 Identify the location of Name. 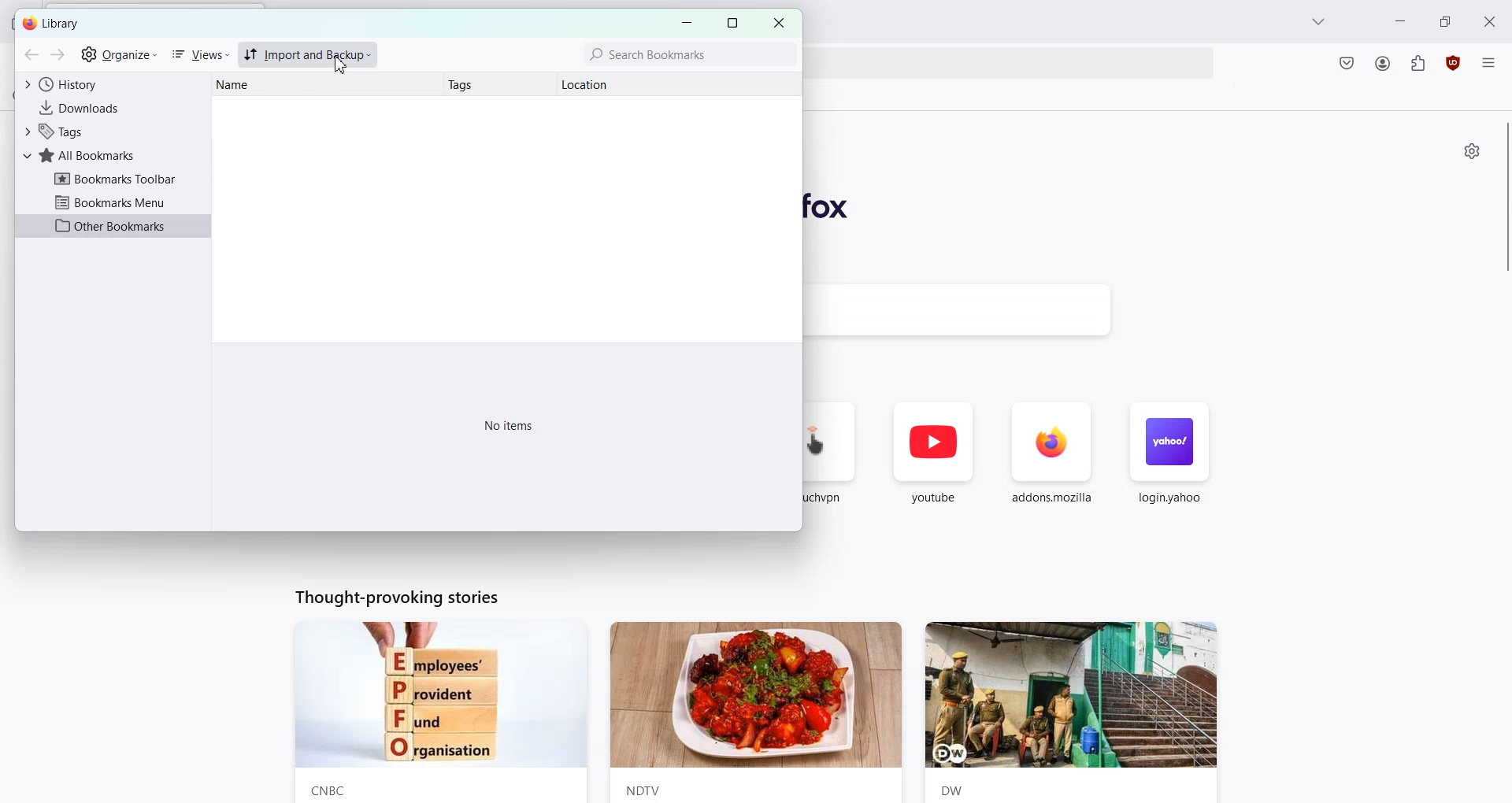
(247, 83).